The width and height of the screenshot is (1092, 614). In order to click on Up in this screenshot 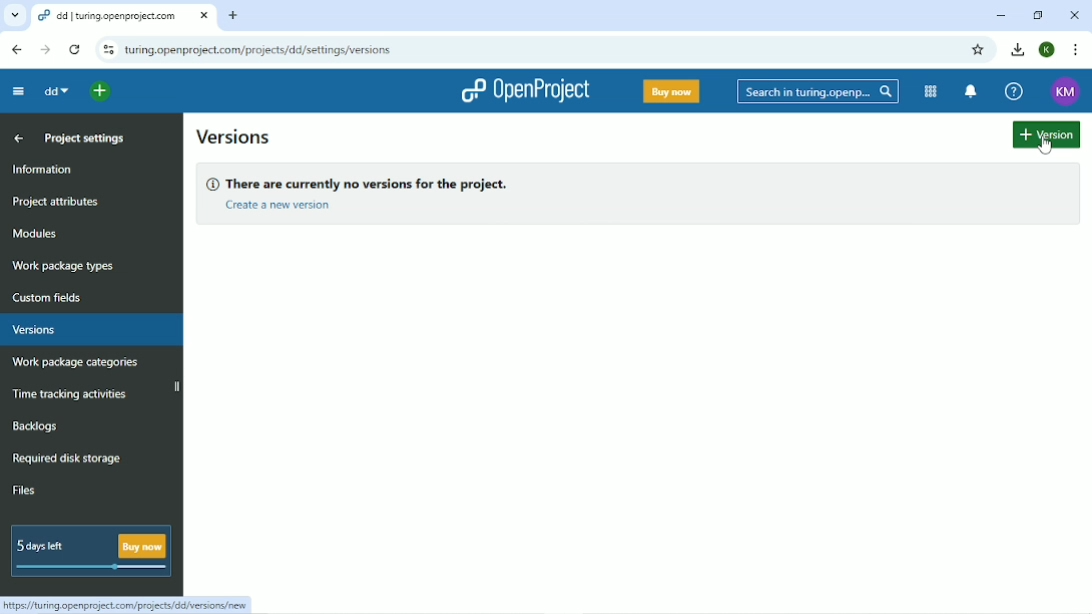, I will do `click(16, 138)`.